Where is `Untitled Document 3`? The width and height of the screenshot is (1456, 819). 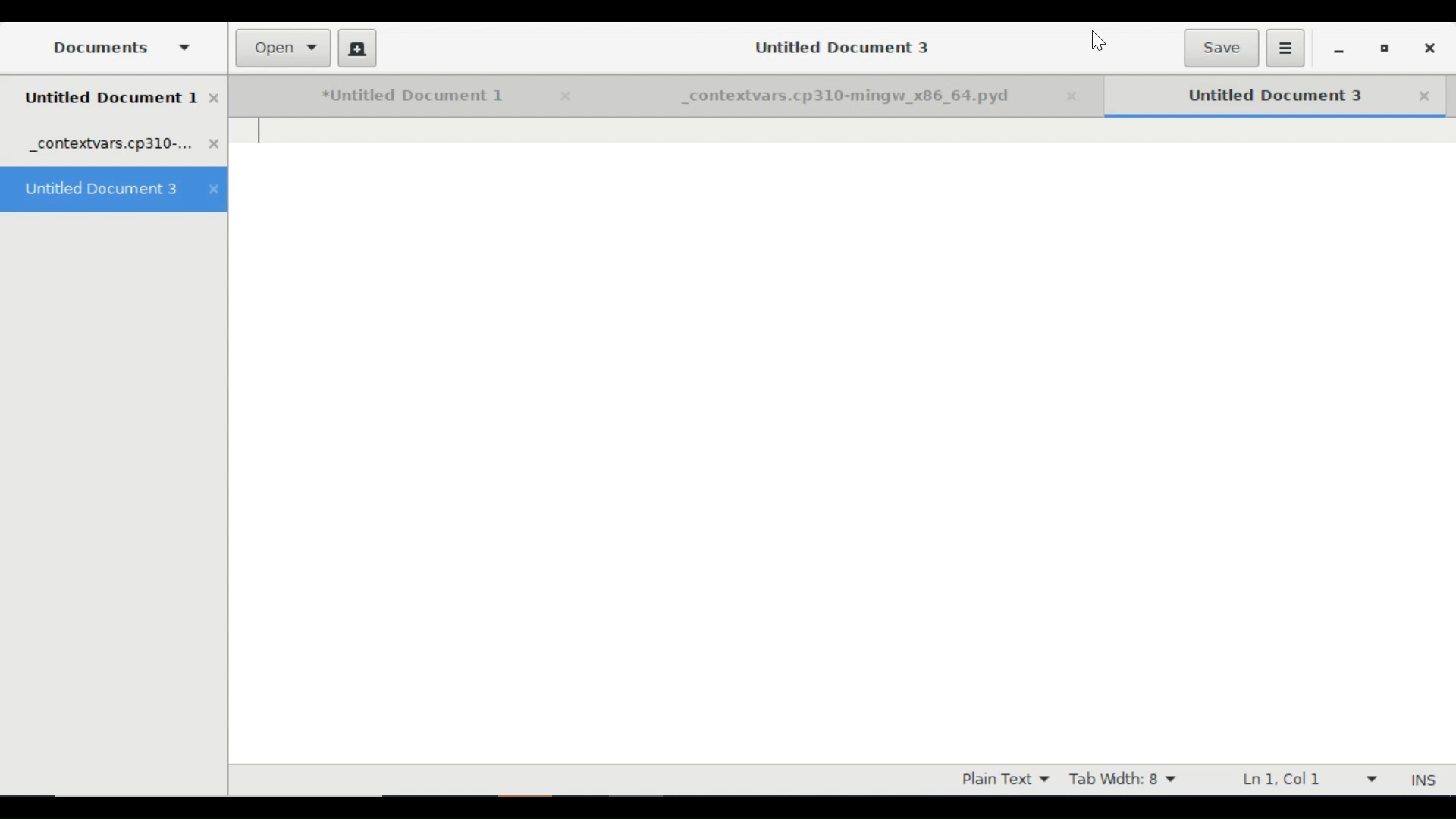
Untitled Document 3 is located at coordinates (836, 46).